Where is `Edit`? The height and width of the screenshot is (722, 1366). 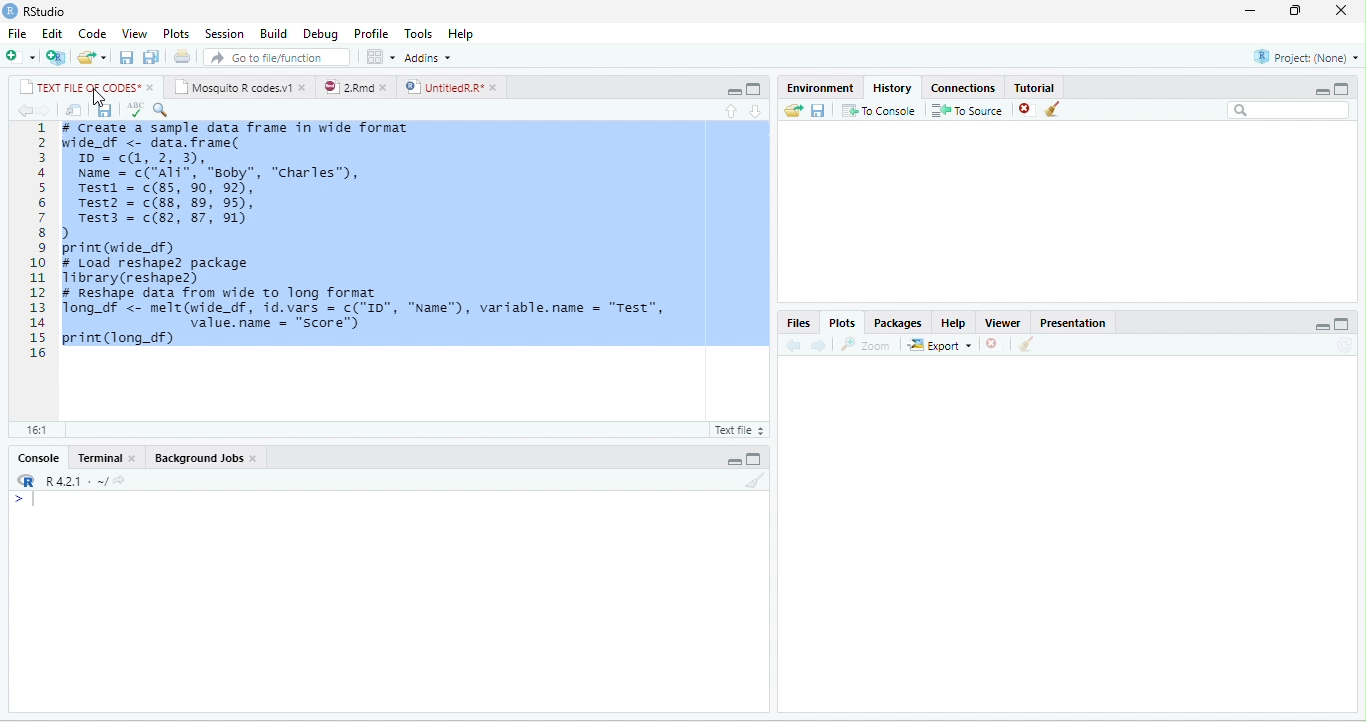 Edit is located at coordinates (52, 33).